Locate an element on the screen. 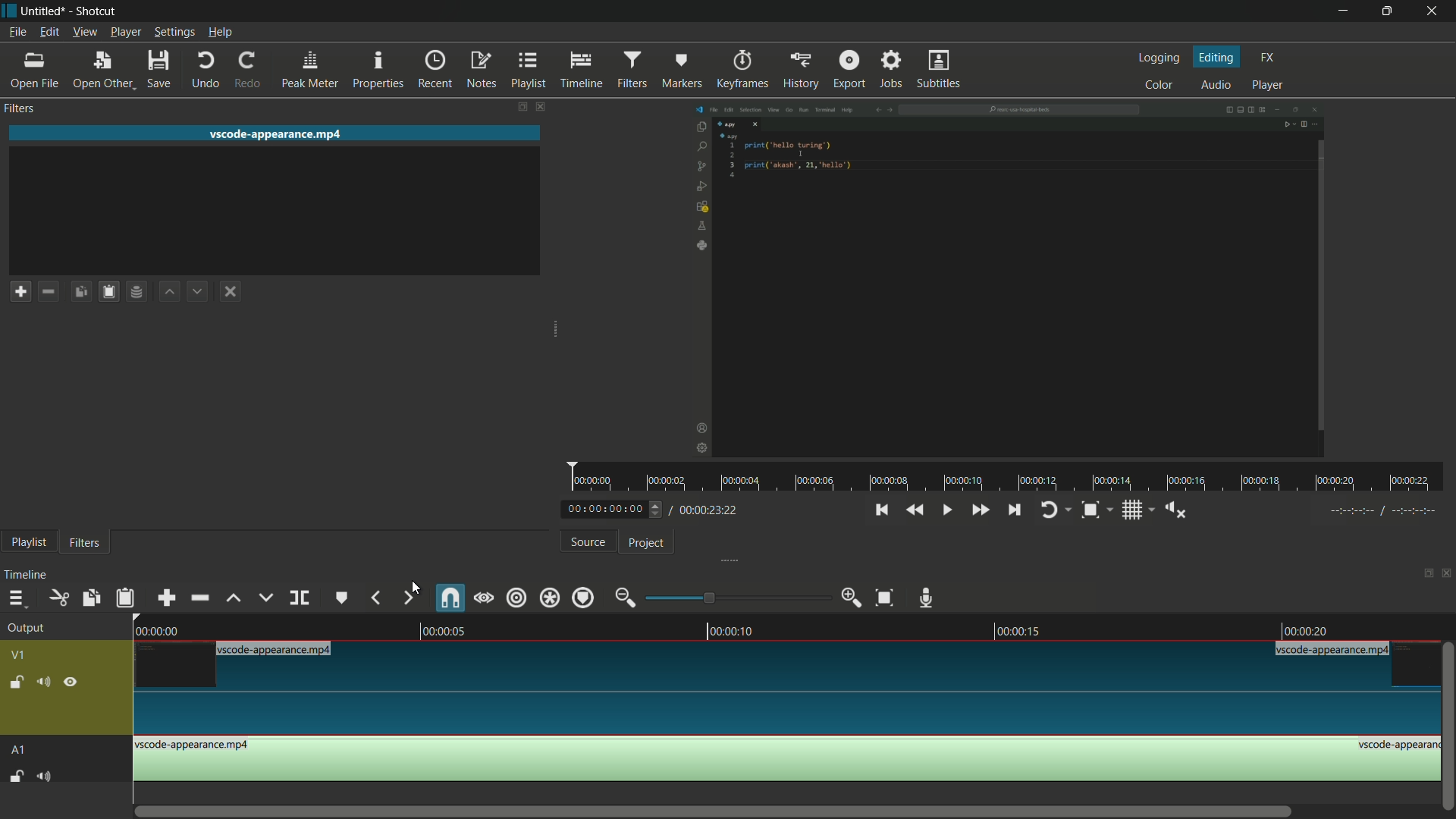 This screenshot has width=1456, height=819. close timeline is located at coordinates (1447, 573).